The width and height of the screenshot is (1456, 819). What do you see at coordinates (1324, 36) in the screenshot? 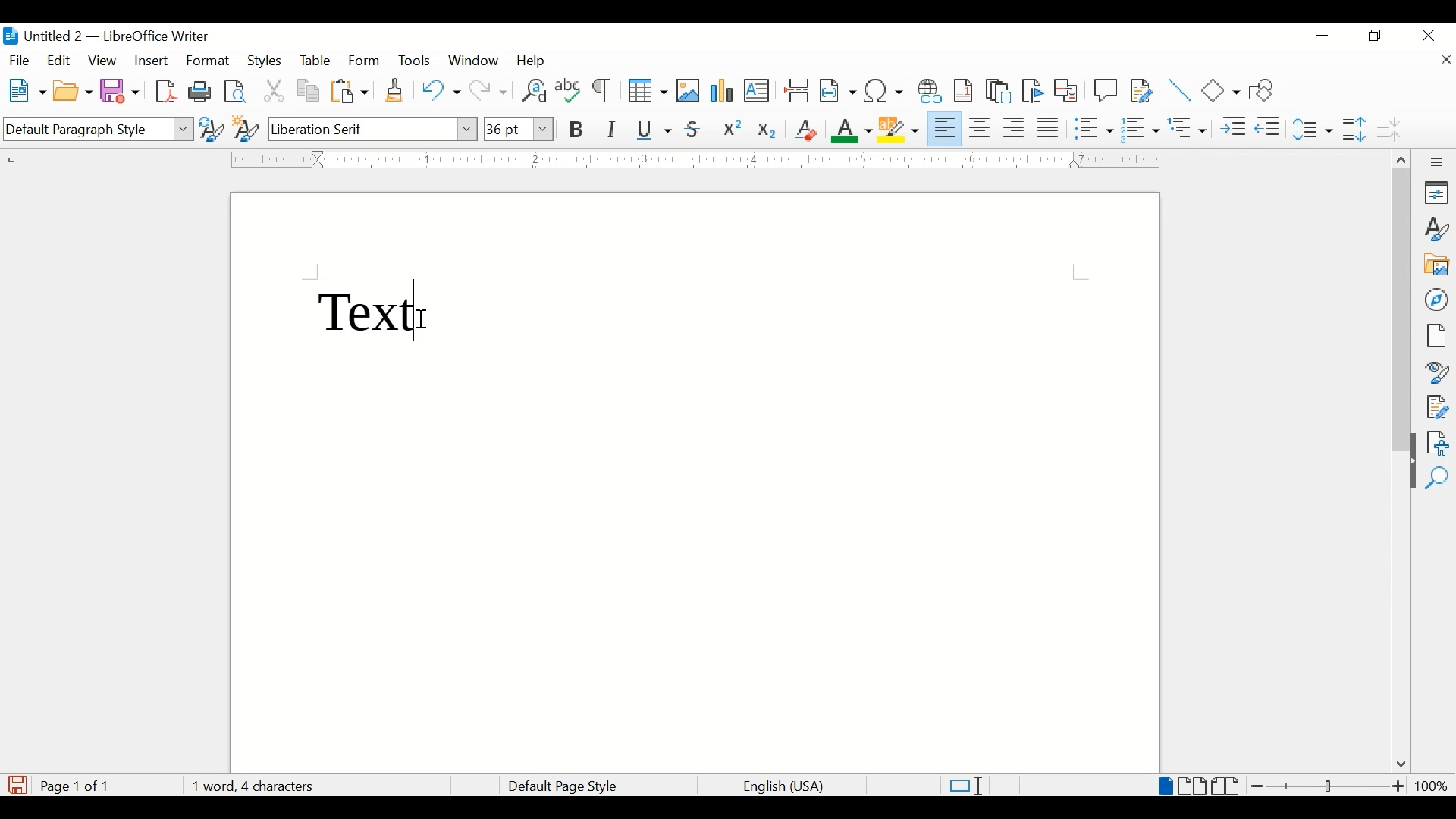
I see `minimize` at bounding box center [1324, 36].